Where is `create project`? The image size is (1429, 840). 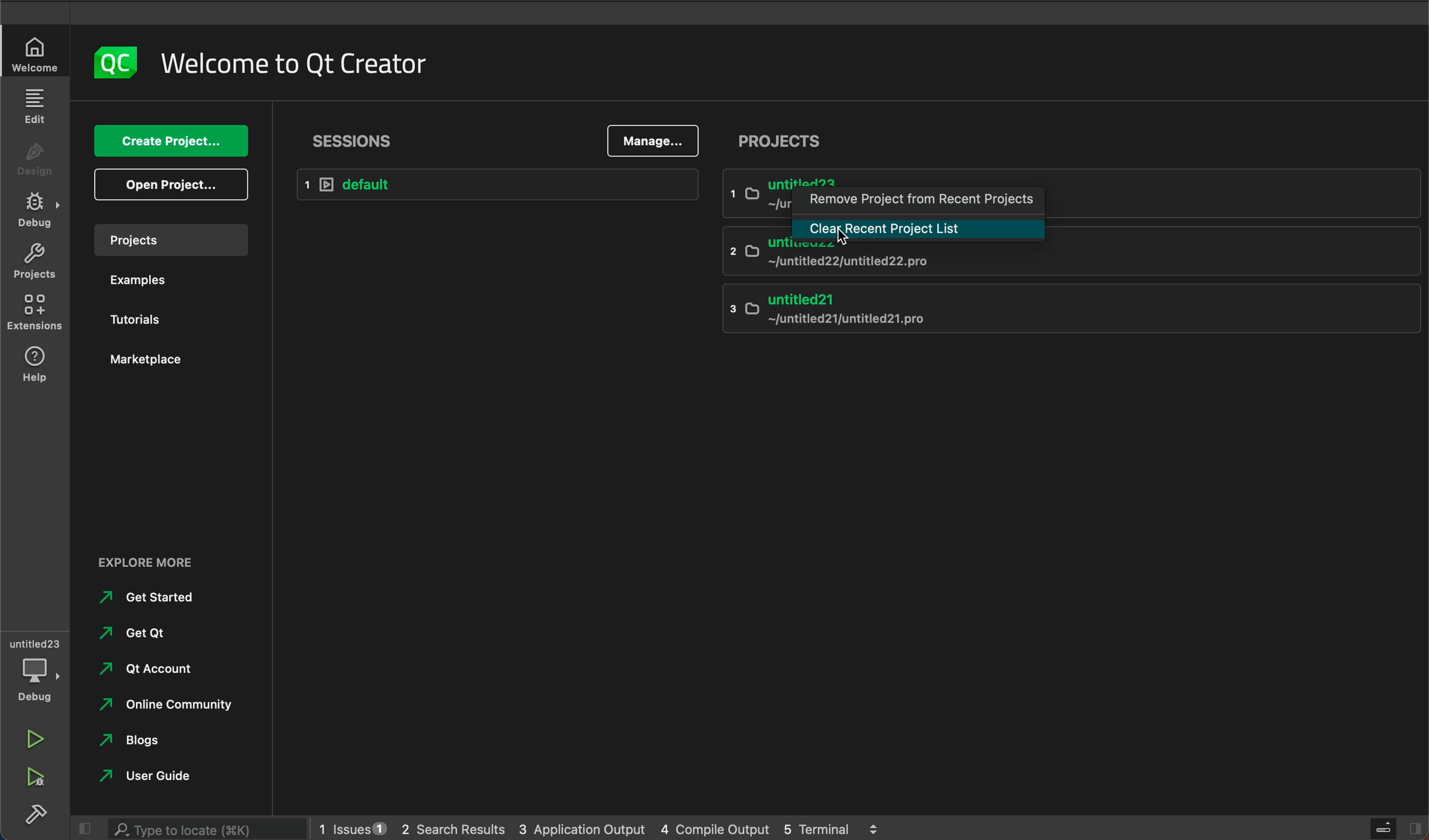
create project is located at coordinates (168, 141).